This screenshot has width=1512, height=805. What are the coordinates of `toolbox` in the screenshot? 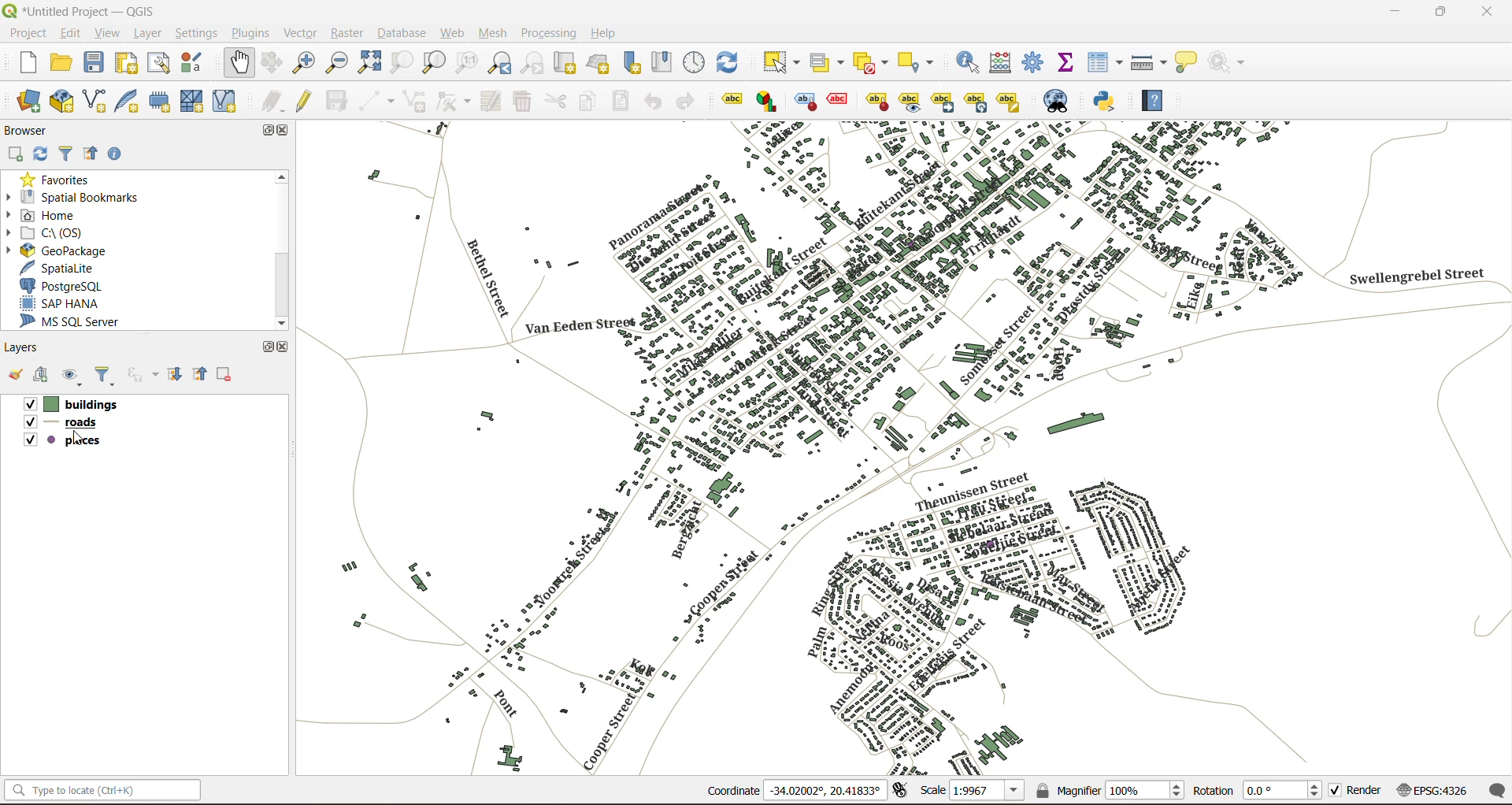 It's located at (1033, 64).